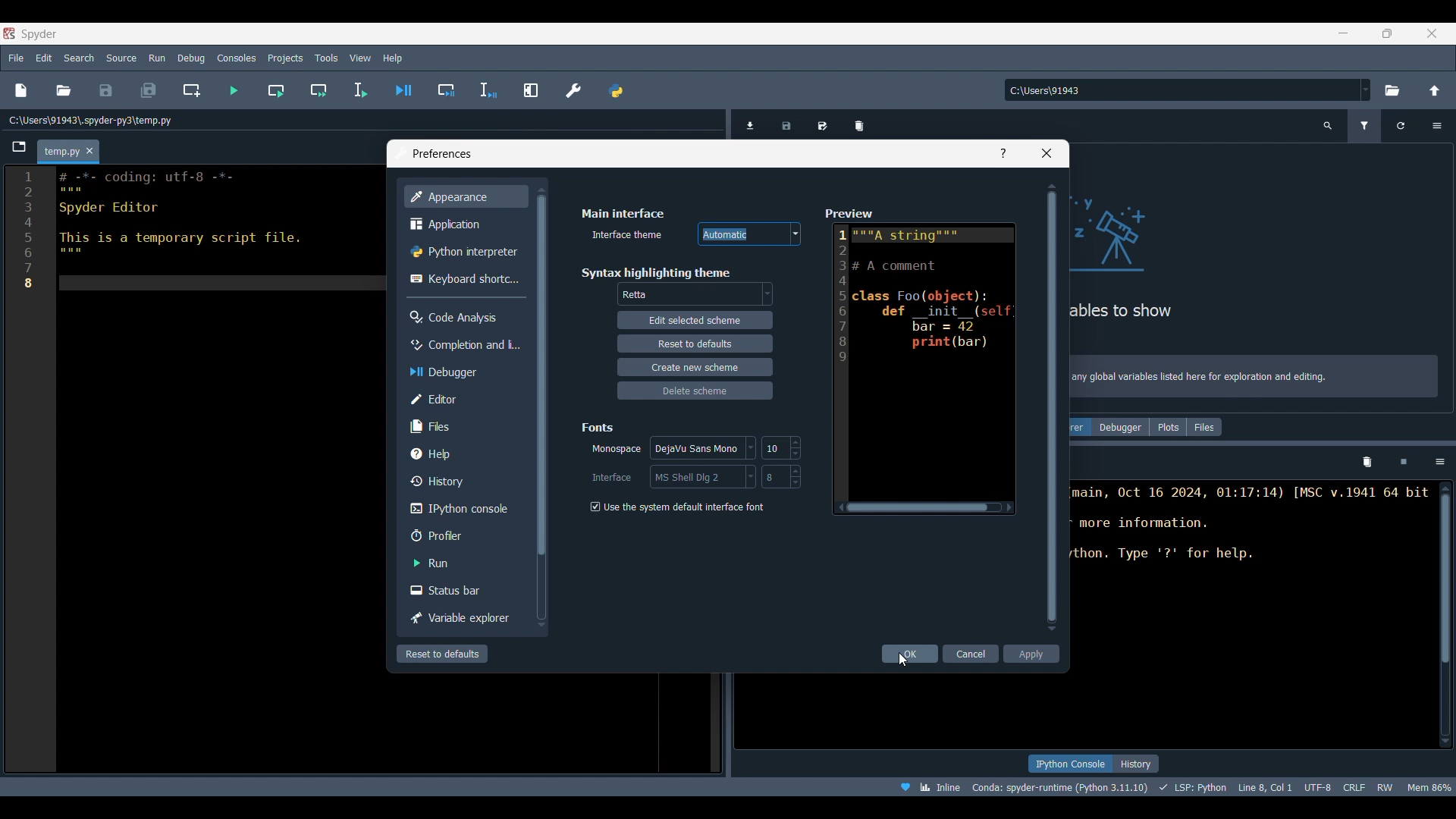 This screenshot has height=819, width=1456. What do you see at coordinates (1386, 786) in the screenshot?
I see `rw` at bounding box center [1386, 786].